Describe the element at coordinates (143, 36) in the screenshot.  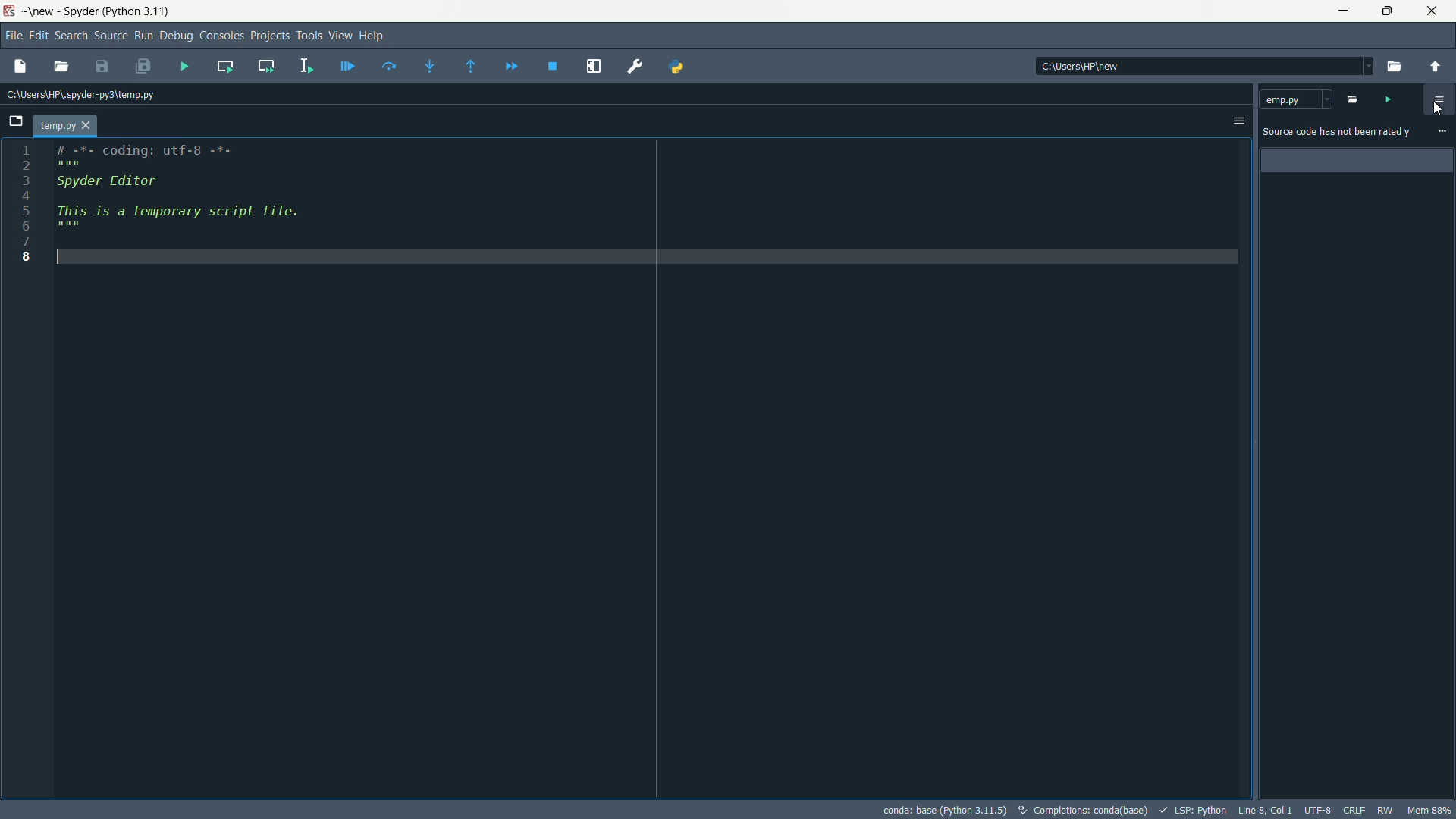
I see `run menu` at that location.